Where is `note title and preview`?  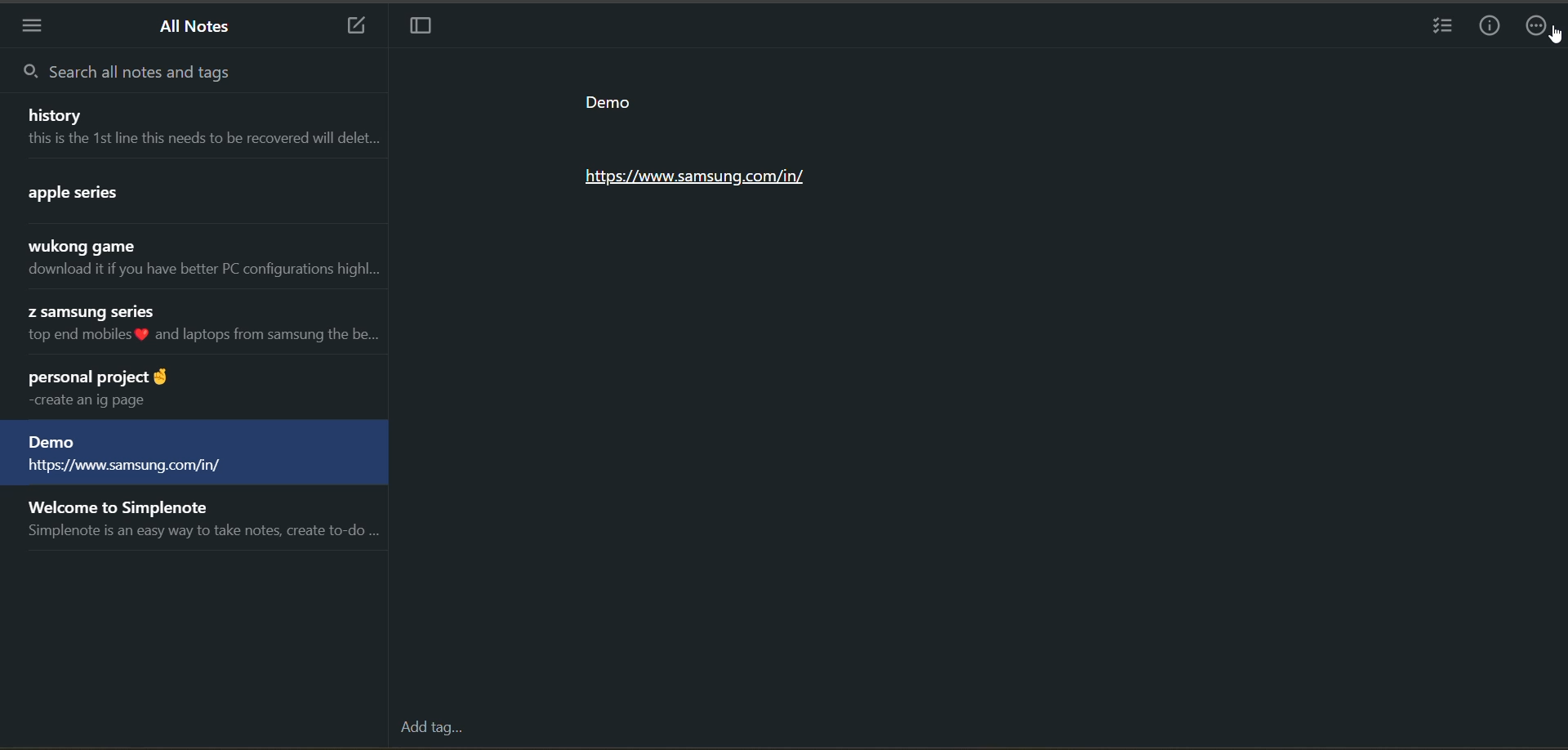
note title and preview is located at coordinates (201, 523).